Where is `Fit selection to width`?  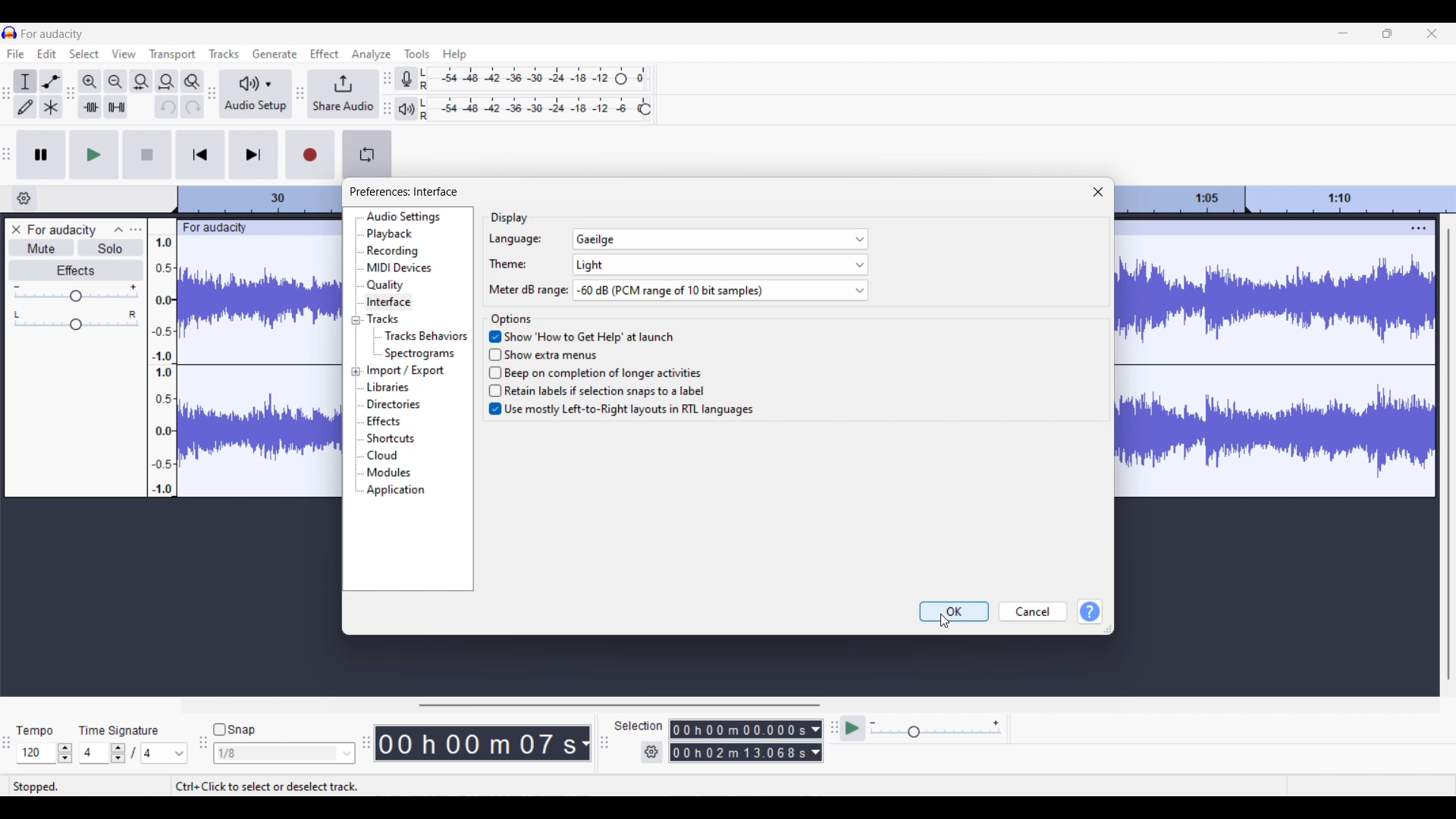
Fit selection to width is located at coordinates (141, 82).